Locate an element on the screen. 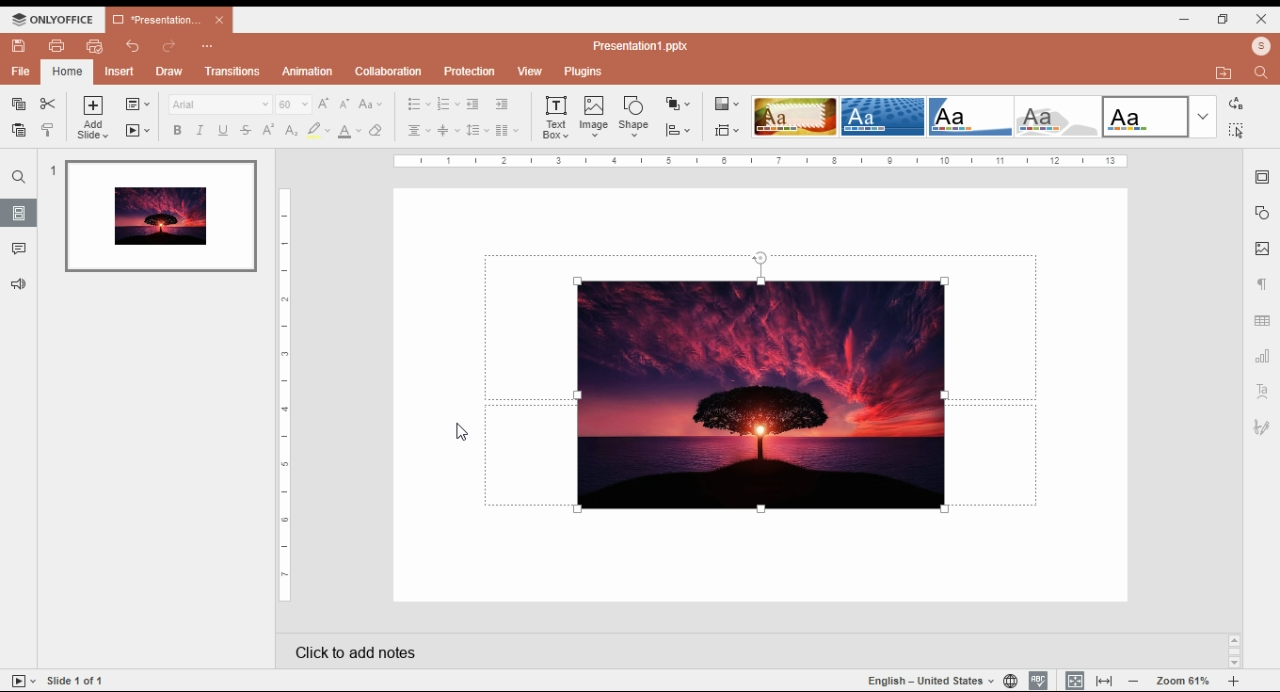 The width and height of the screenshot is (1280, 692). click to add notes is located at coordinates (732, 647).